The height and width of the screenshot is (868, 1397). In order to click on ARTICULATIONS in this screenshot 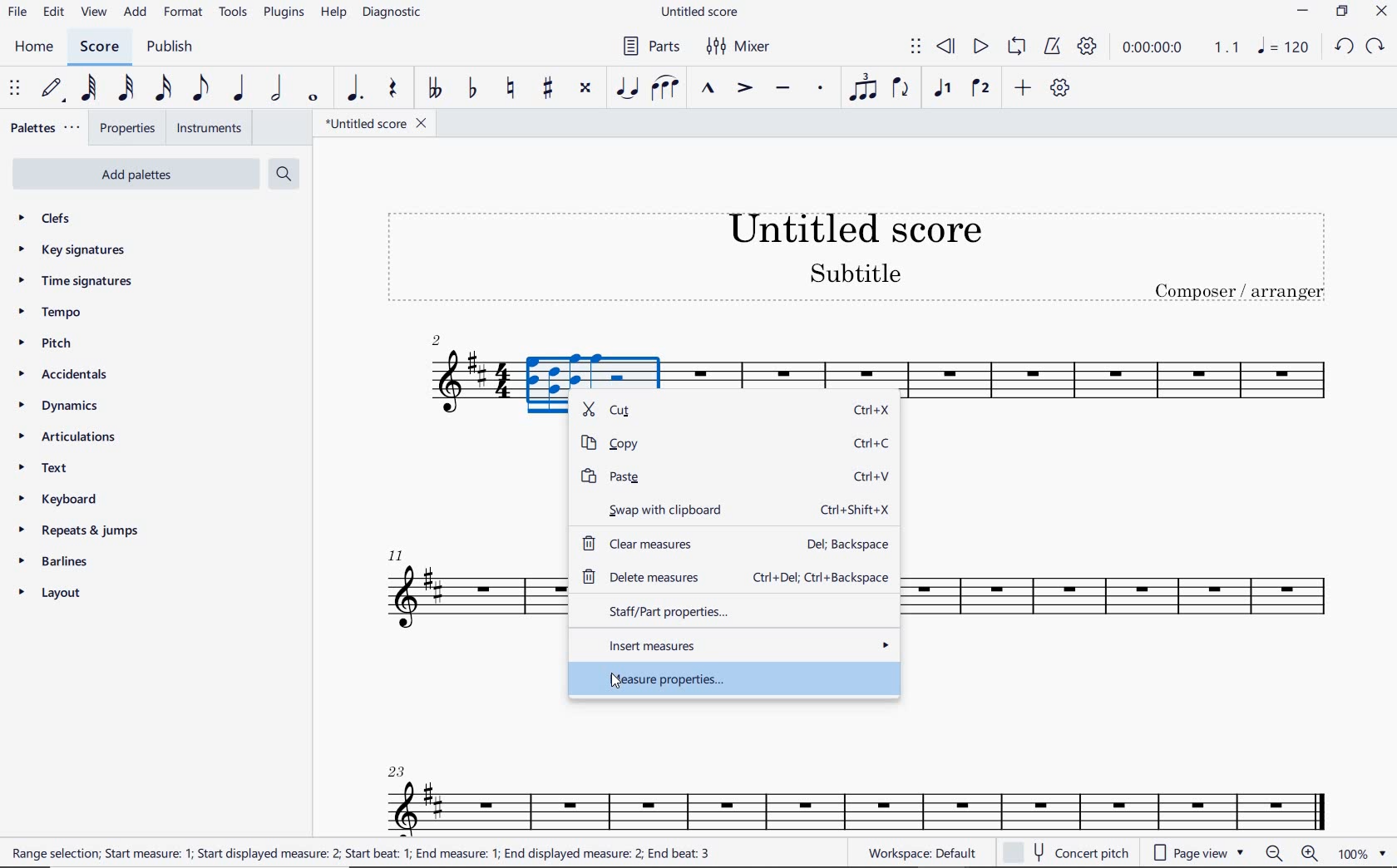, I will do `click(68, 438)`.